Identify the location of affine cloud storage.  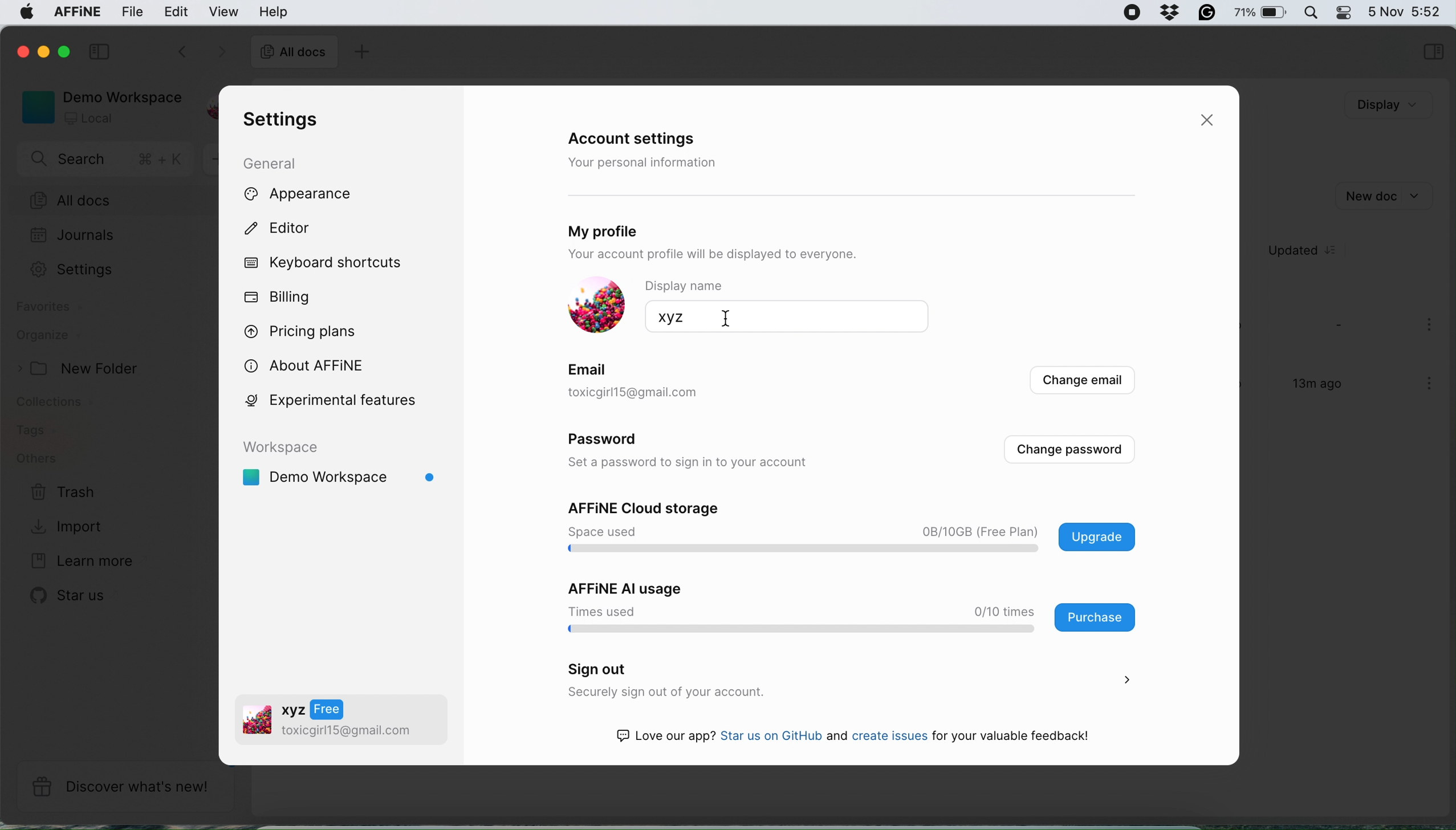
(856, 529).